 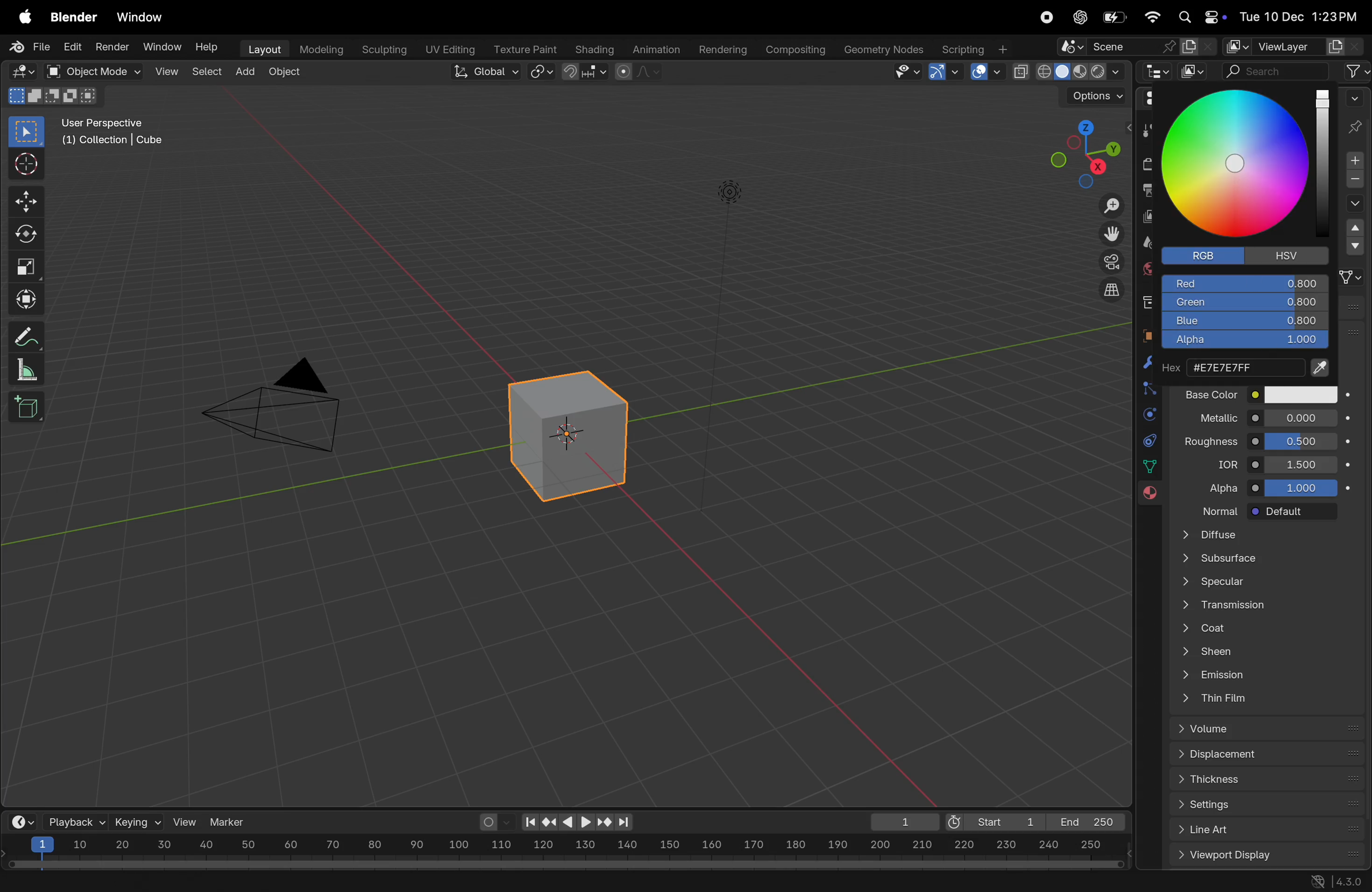 I want to click on alpha, so click(x=1242, y=343).